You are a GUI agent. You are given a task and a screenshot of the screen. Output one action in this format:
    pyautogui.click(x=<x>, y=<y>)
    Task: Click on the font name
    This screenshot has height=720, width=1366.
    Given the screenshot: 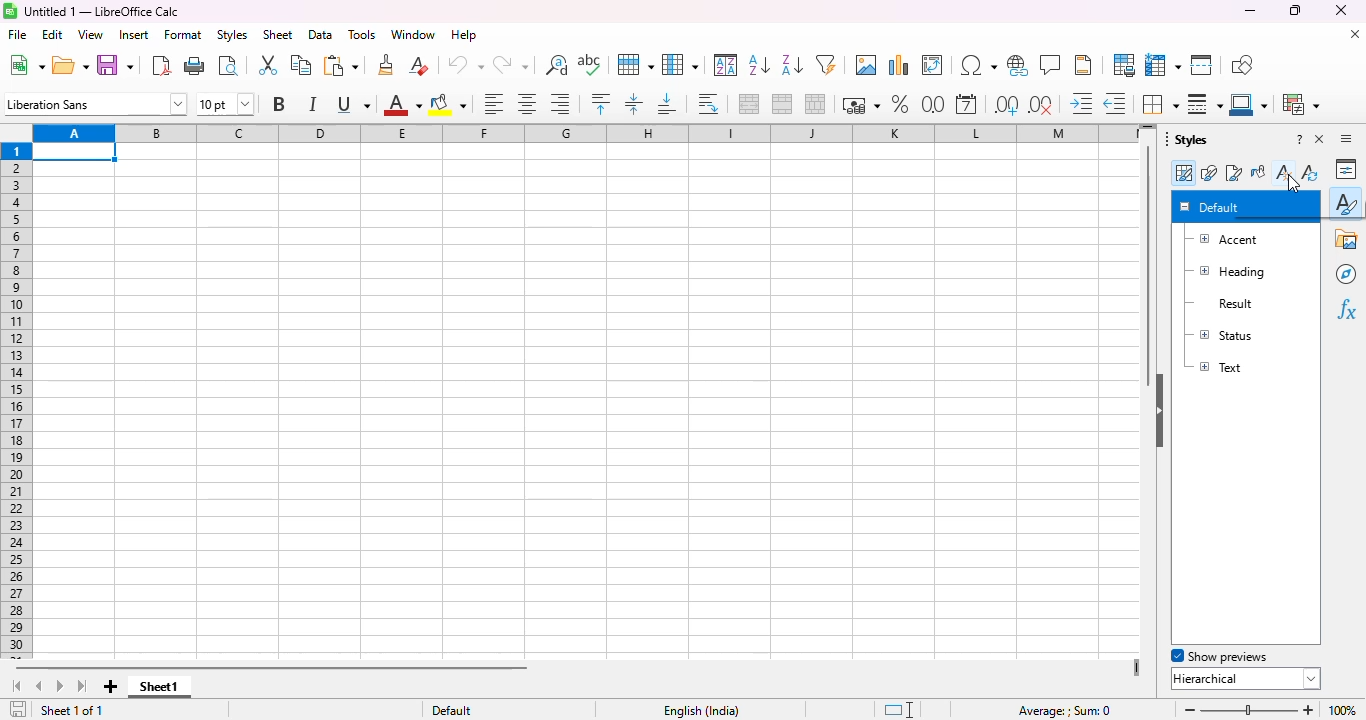 What is the action you would take?
    pyautogui.click(x=96, y=104)
    